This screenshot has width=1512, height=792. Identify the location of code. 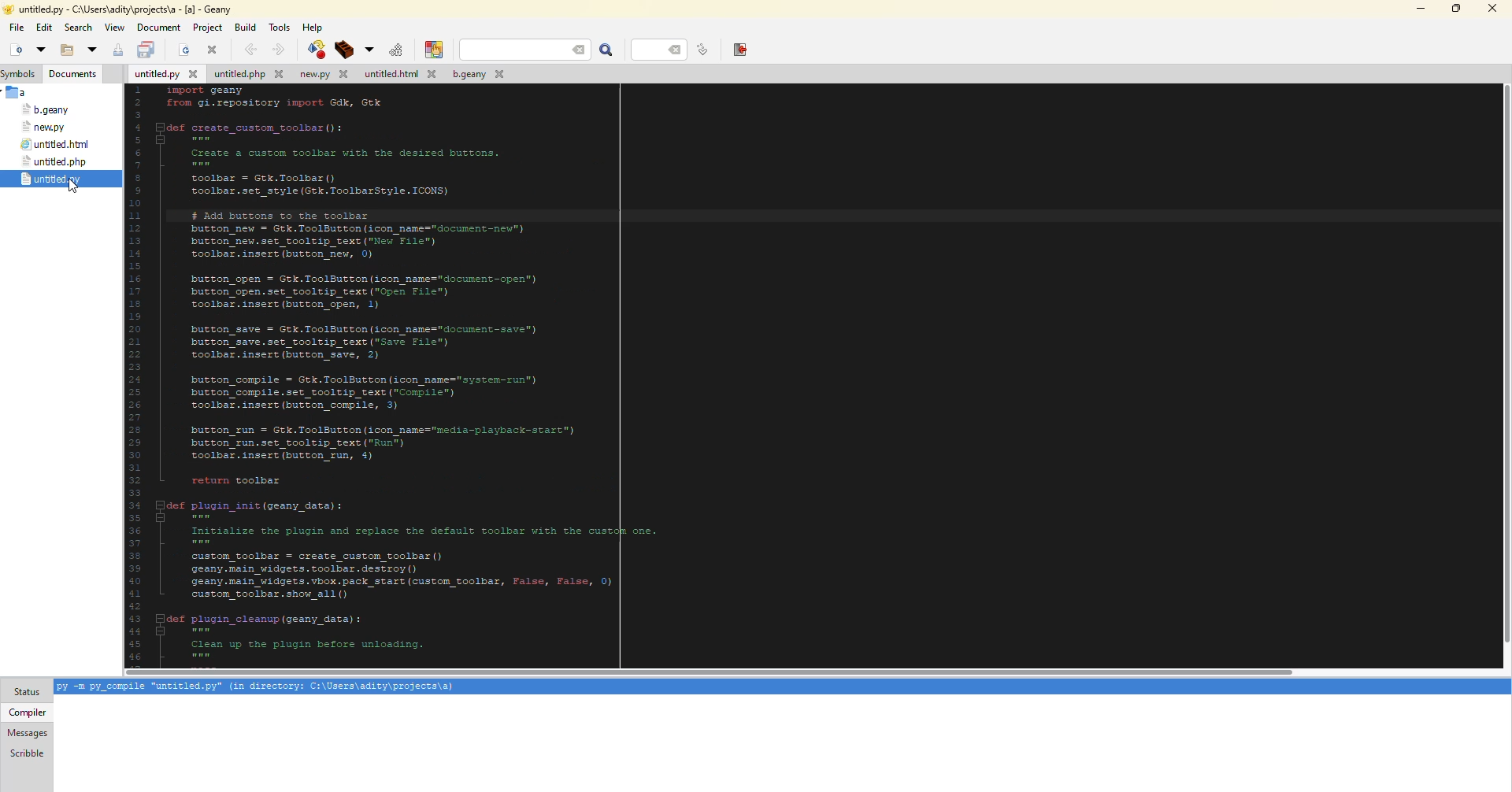
(406, 369).